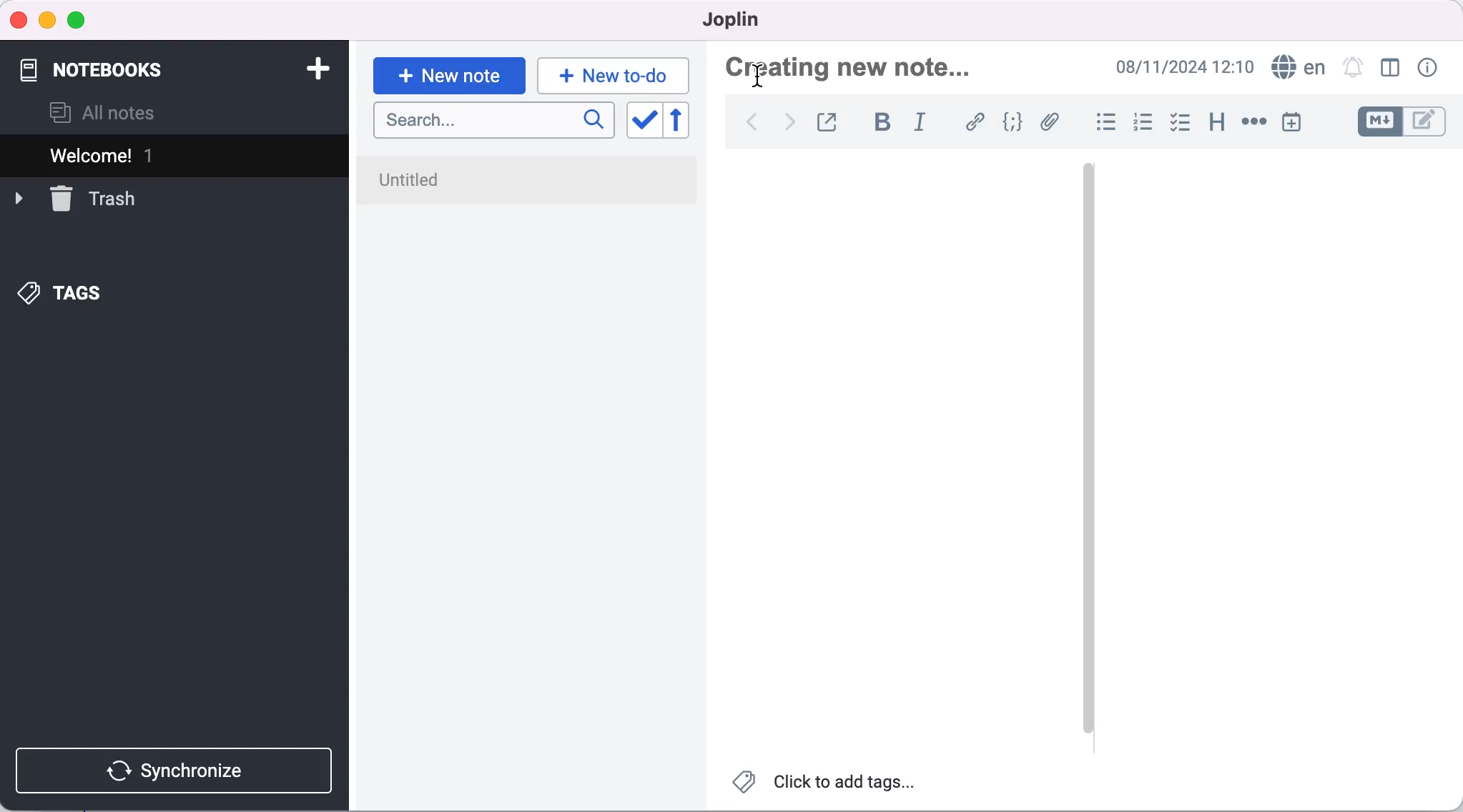 The width and height of the screenshot is (1463, 812). What do you see at coordinates (1349, 69) in the screenshot?
I see `set alarm` at bounding box center [1349, 69].